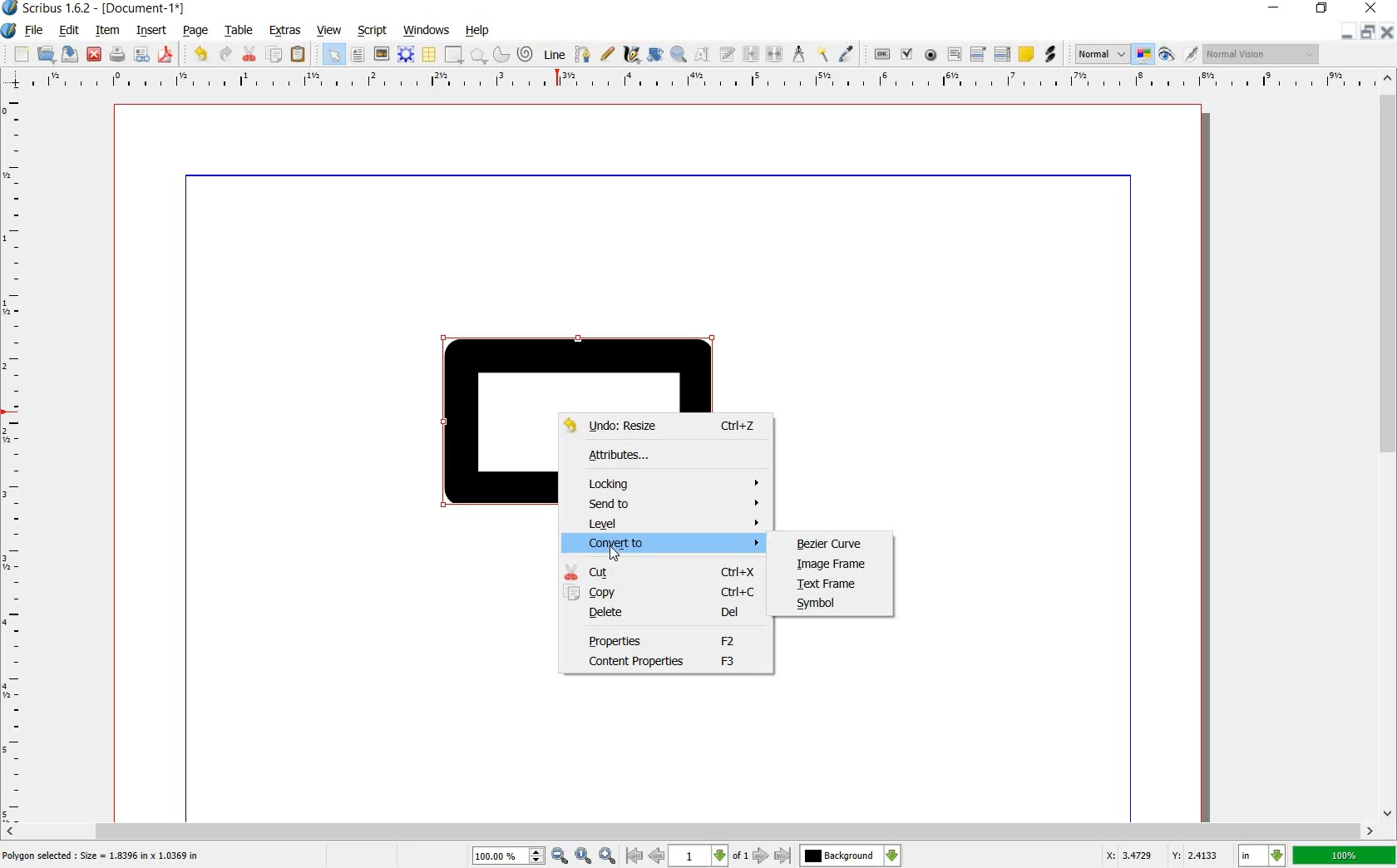 This screenshot has height=868, width=1397. Describe the element at coordinates (577, 372) in the screenshot. I see `shape` at that location.